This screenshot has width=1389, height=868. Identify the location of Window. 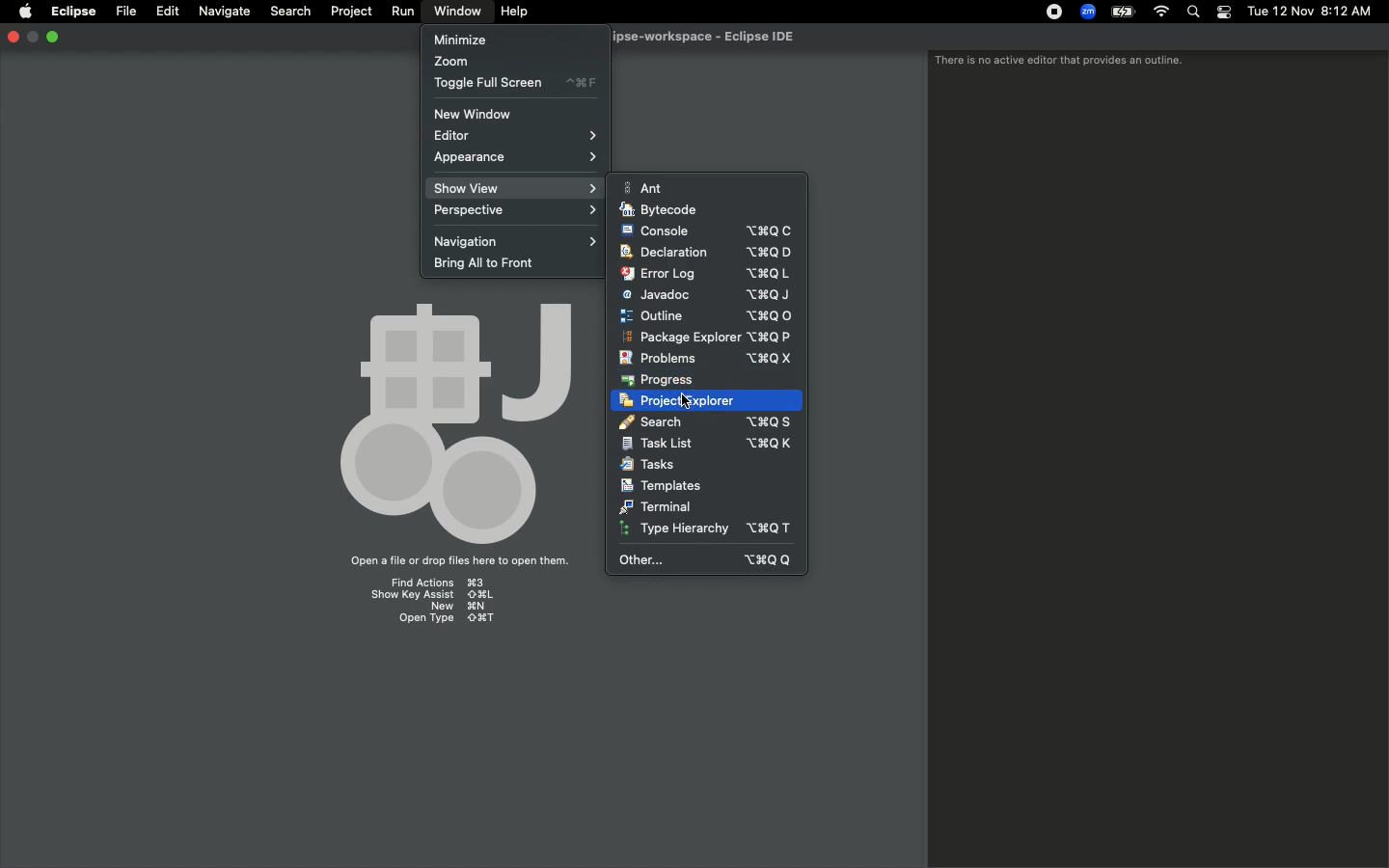
(454, 12).